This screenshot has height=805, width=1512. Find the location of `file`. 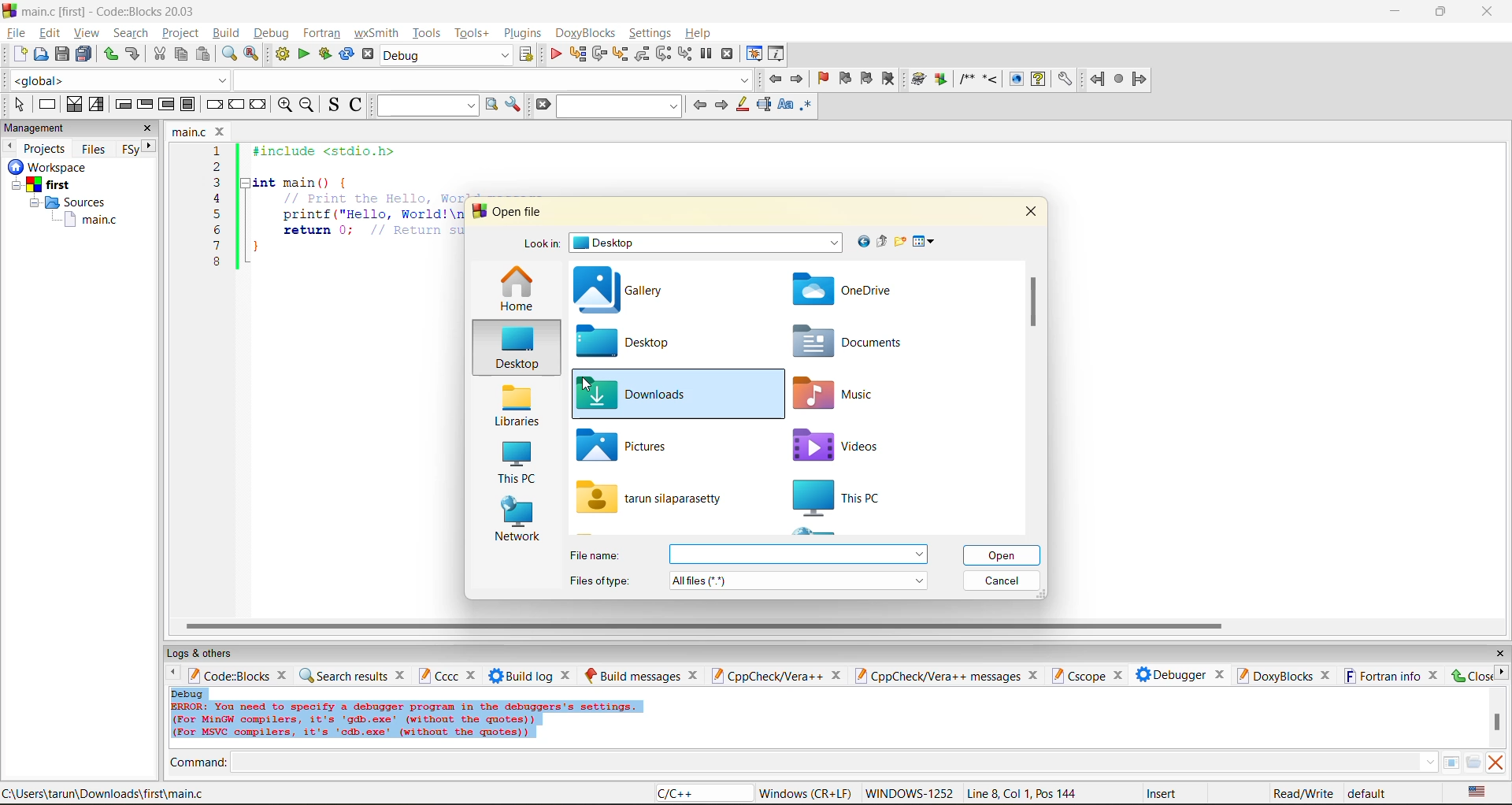

file is located at coordinates (15, 31).